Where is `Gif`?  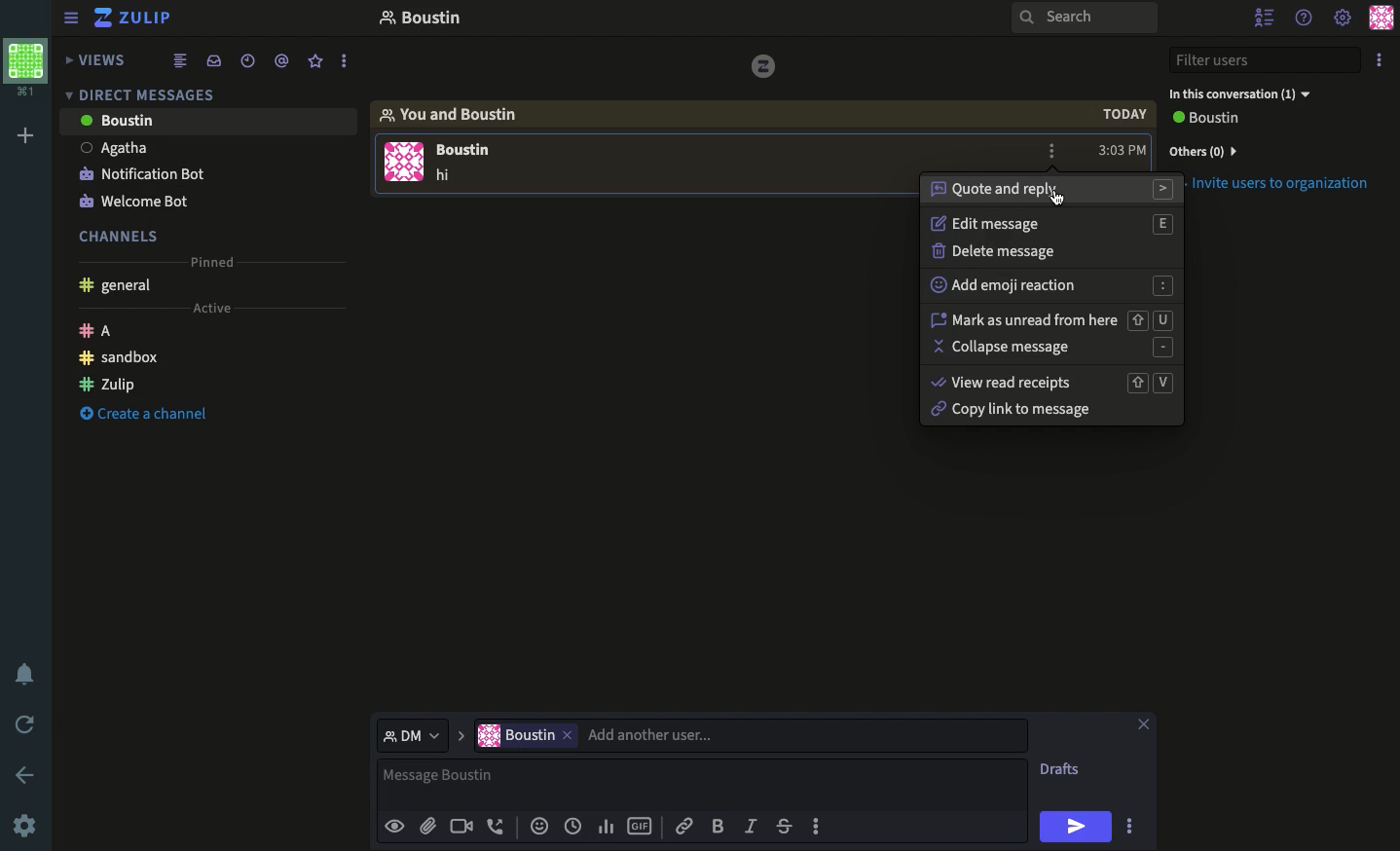
Gif is located at coordinates (641, 827).